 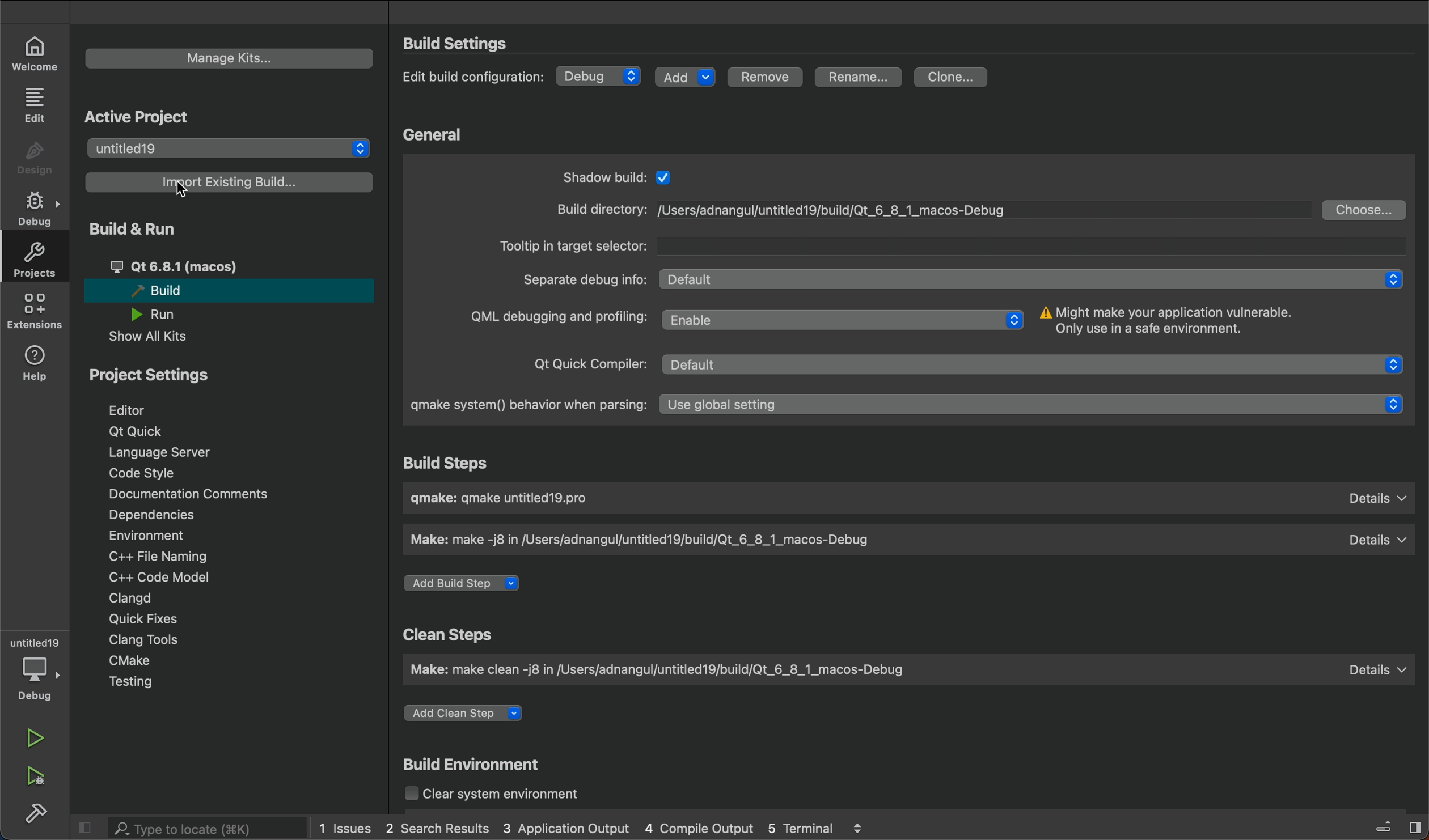 I want to click on help, so click(x=37, y=361).